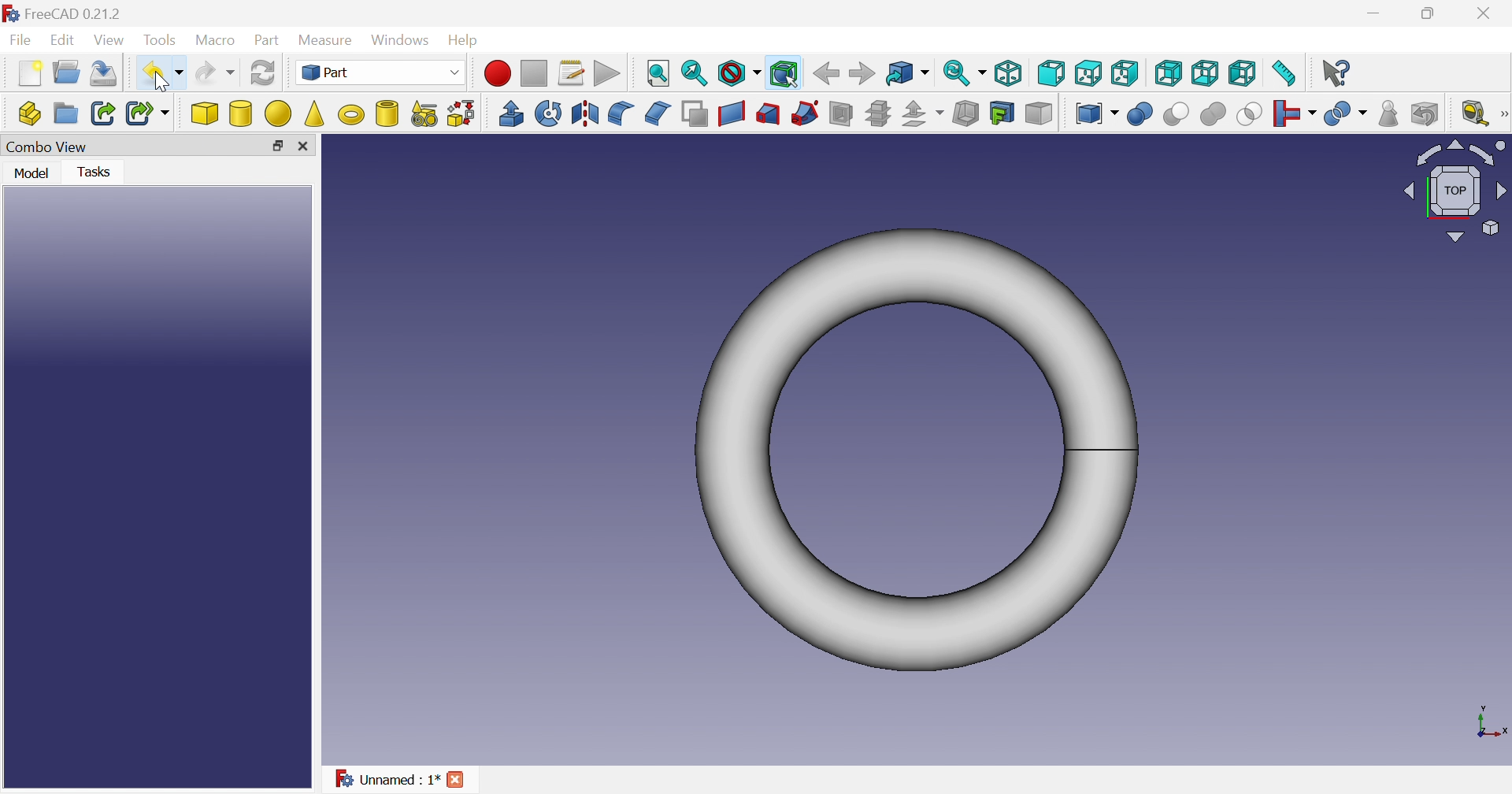 The width and height of the screenshot is (1512, 794). What do you see at coordinates (510, 113) in the screenshot?
I see `Extrude...` at bounding box center [510, 113].